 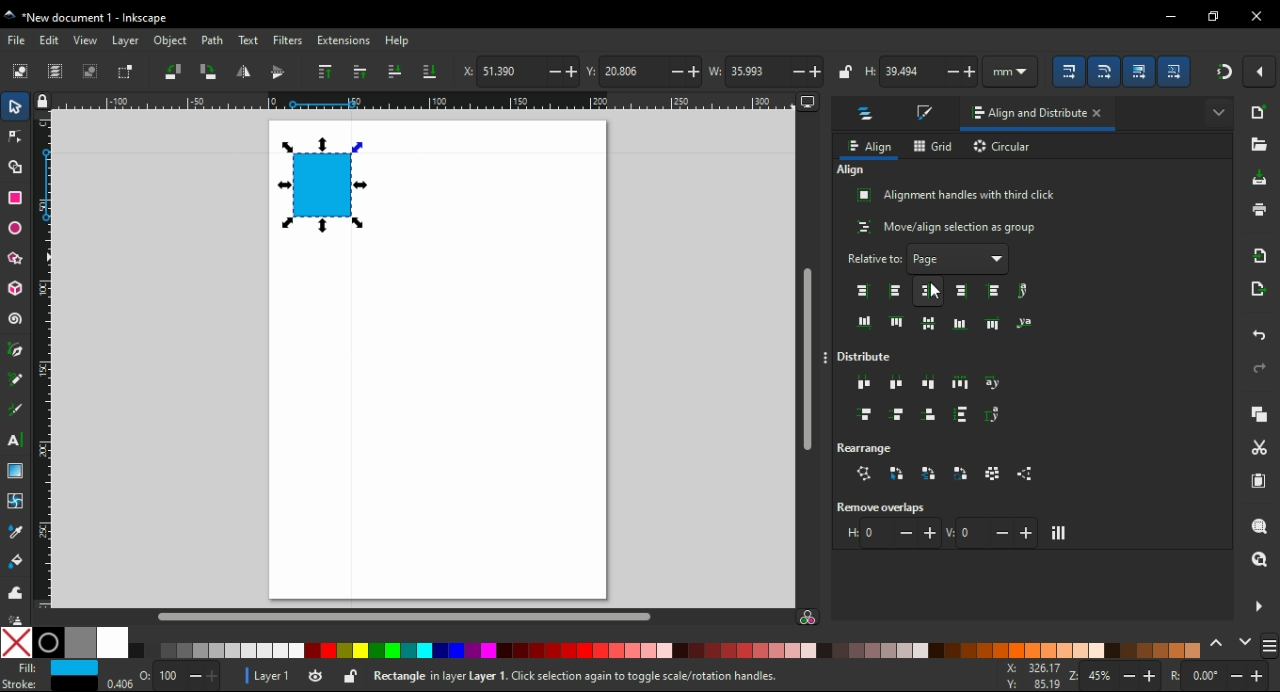 What do you see at coordinates (886, 507) in the screenshot?
I see `remove overlaps` at bounding box center [886, 507].